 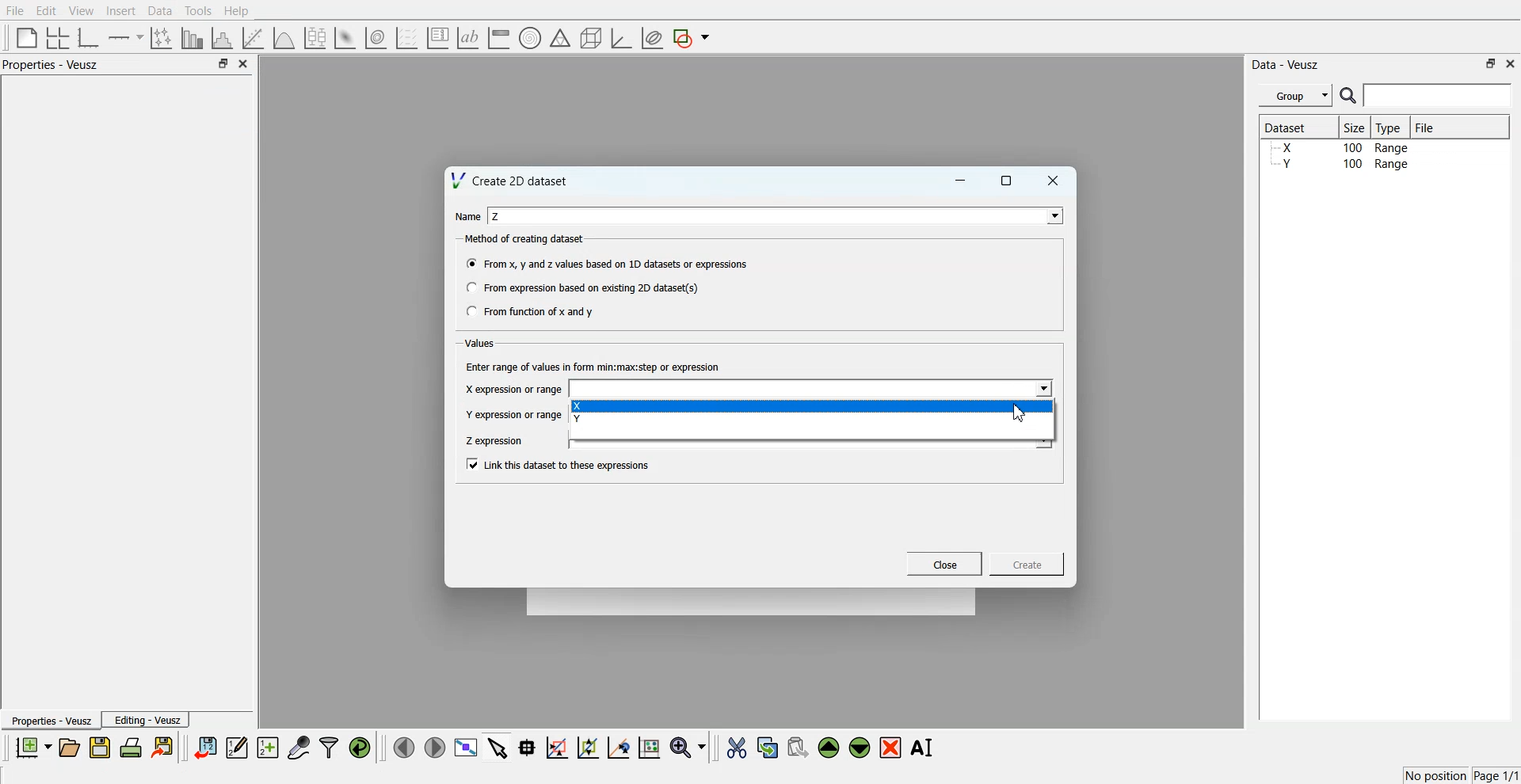 What do you see at coordinates (528, 747) in the screenshot?
I see `Read data points from graph` at bounding box center [528, 747].